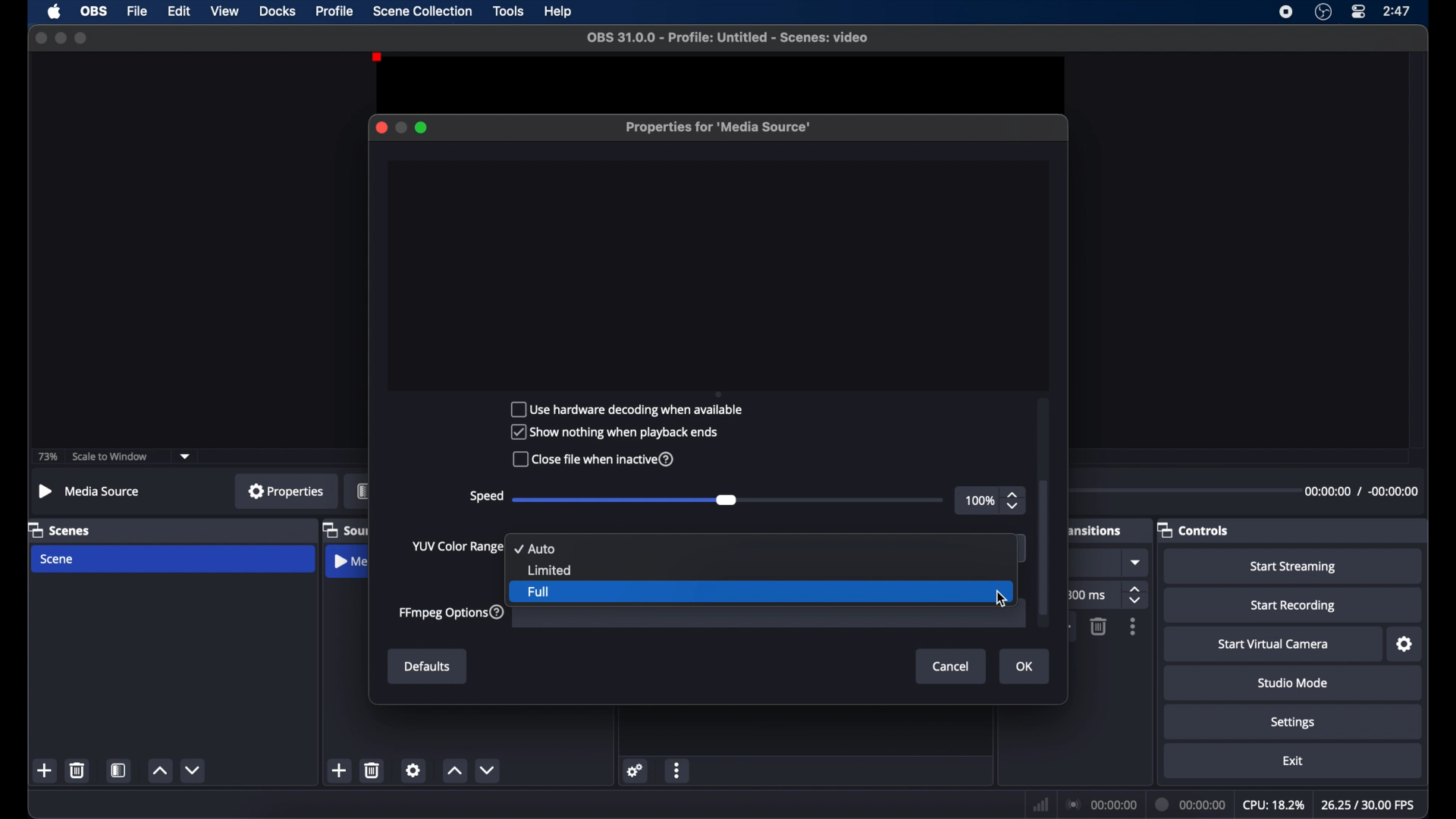  Describe the element at coordinates (631, 409) in the screenshot. I see `Use hardware decoding when available` at that location.